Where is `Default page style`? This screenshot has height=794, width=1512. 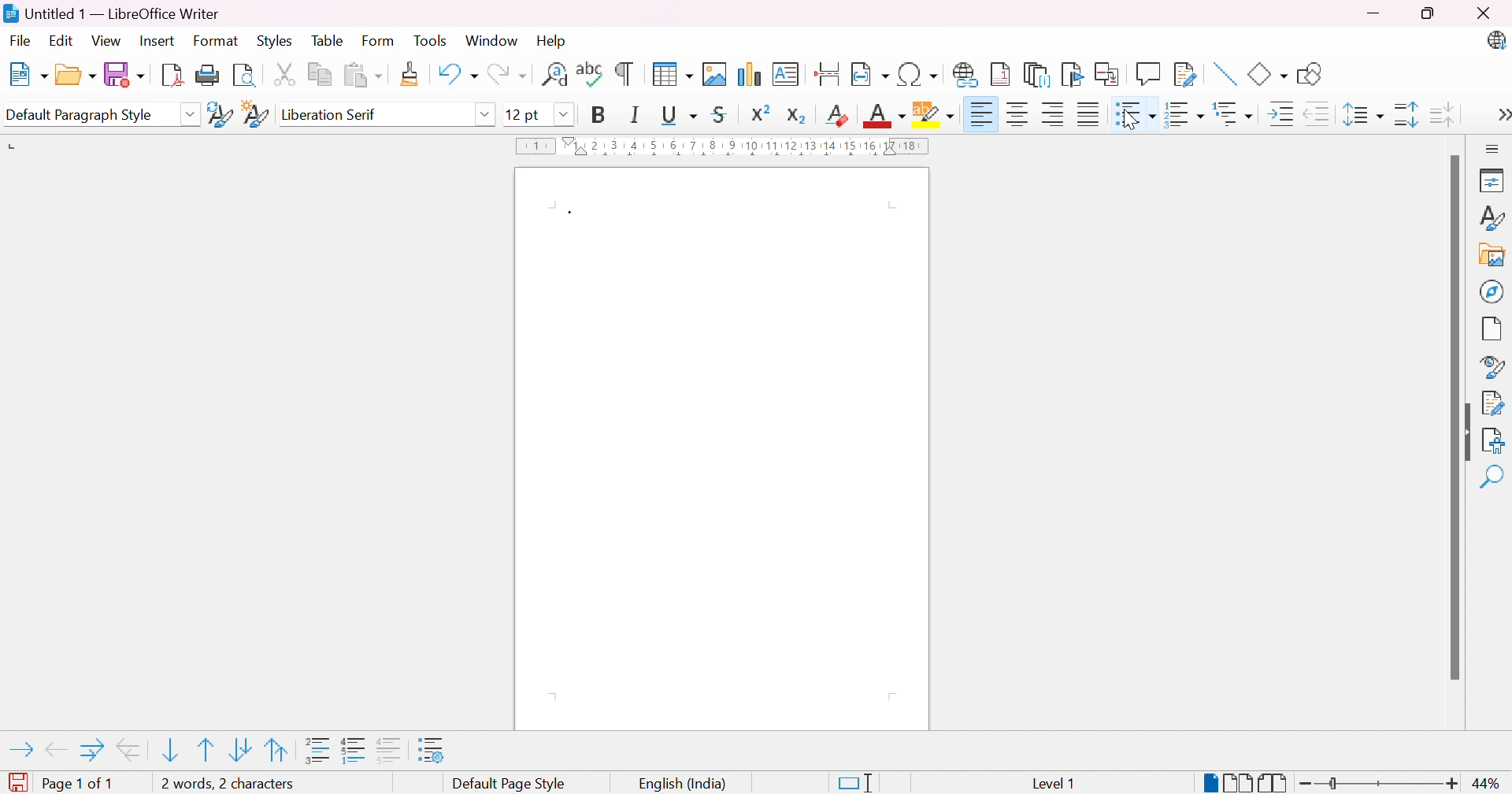 Default page style is located at coordinates (511, 783).